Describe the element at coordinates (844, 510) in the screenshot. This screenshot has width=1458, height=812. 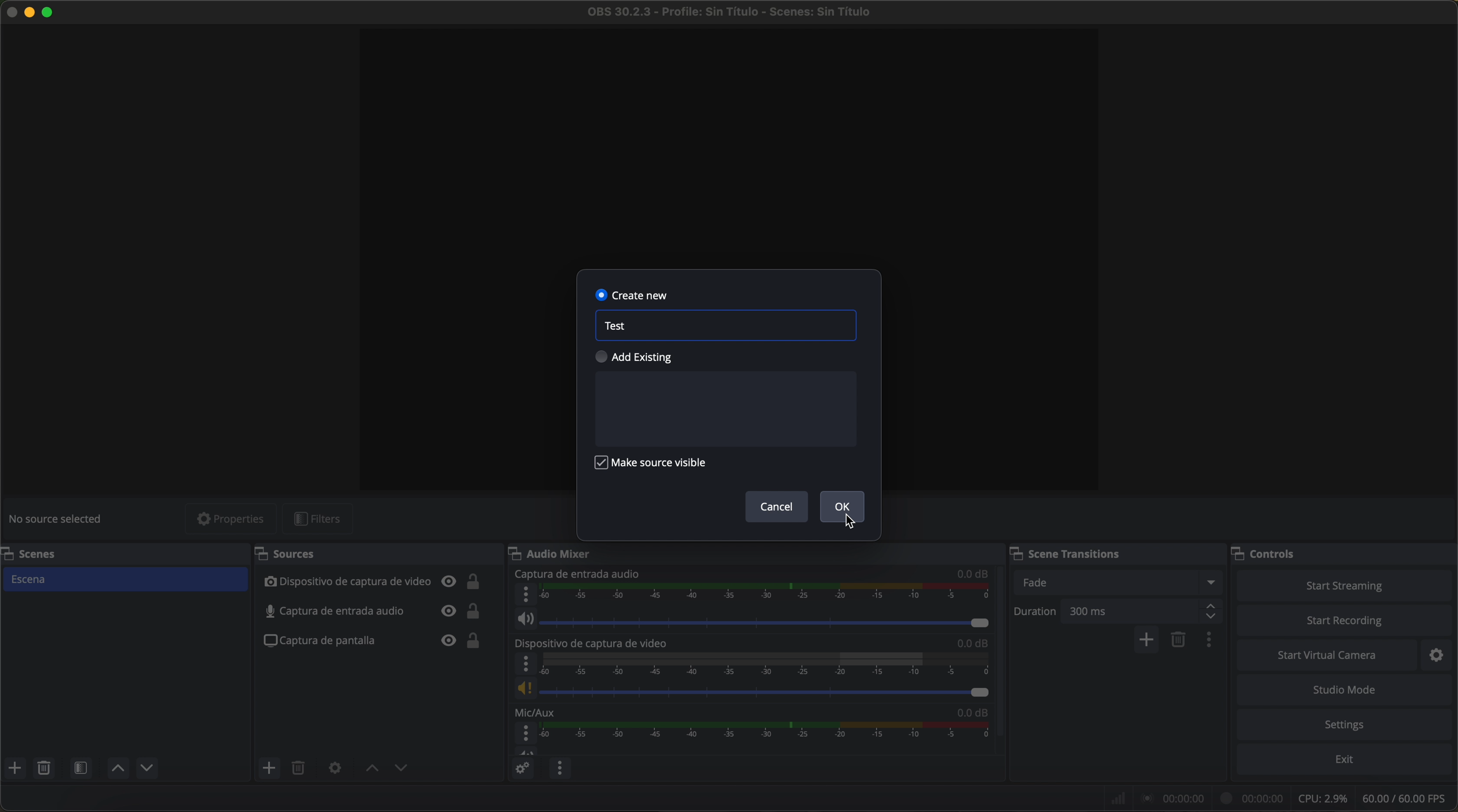
I see `click on OK button` at that location.